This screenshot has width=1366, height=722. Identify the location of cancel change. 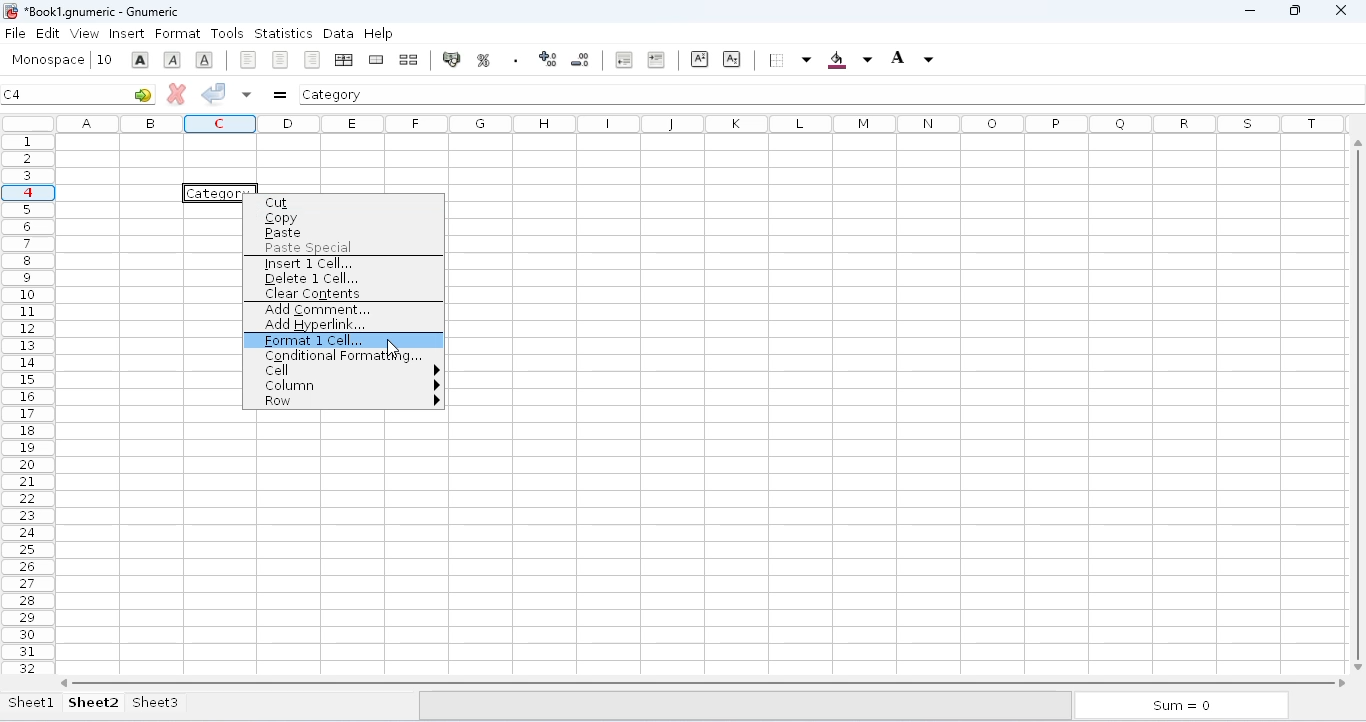
(177, 93).